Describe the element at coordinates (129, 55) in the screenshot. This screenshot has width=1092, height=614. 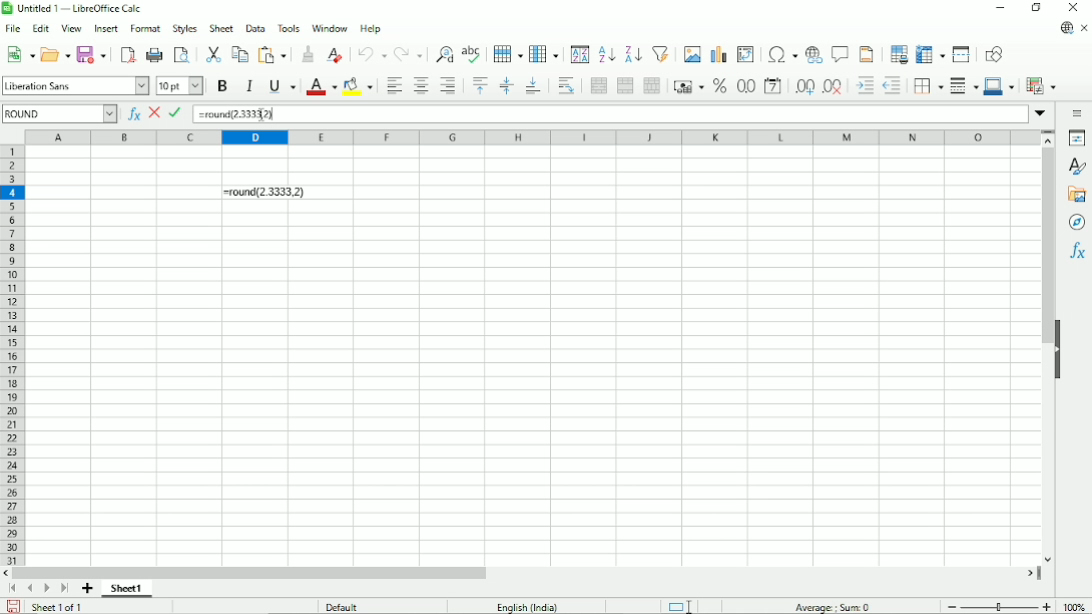
I see `Export directly as PDF` at that location.